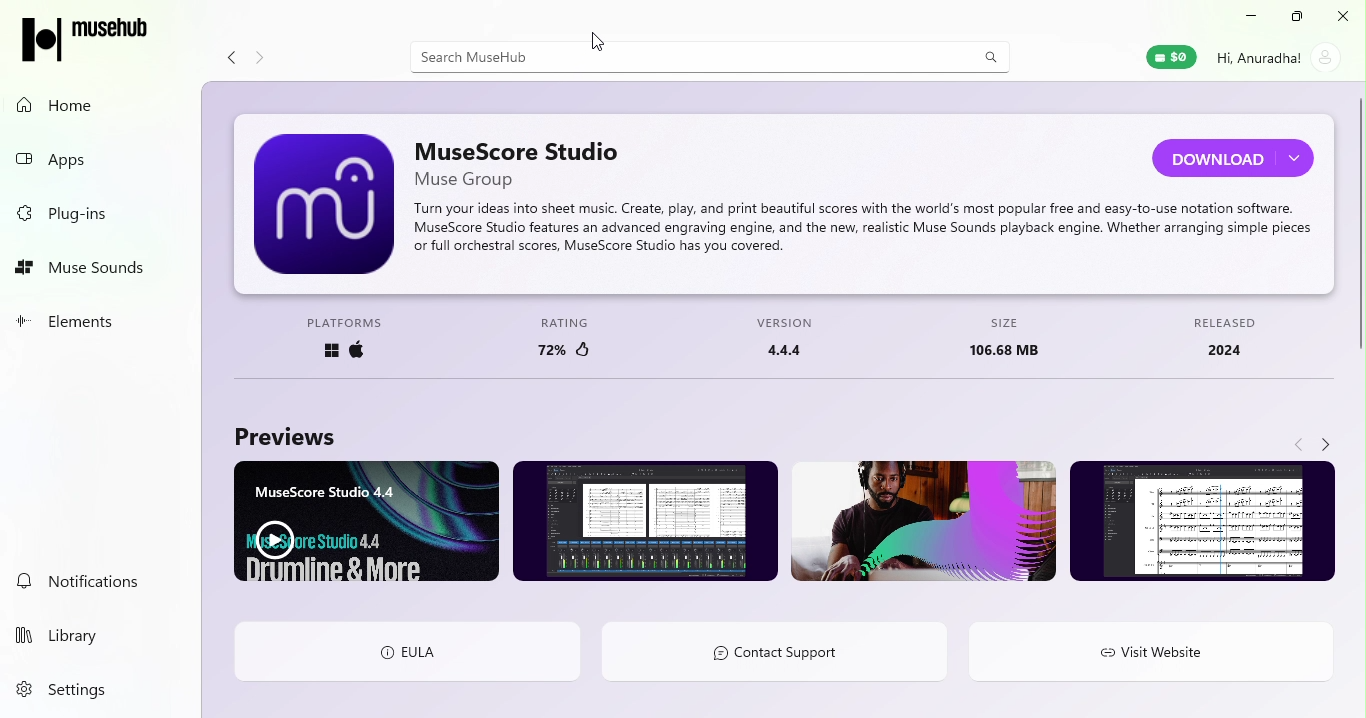 The image size is (1366, 718). I want to click on Preview image, so click(1206, 522).